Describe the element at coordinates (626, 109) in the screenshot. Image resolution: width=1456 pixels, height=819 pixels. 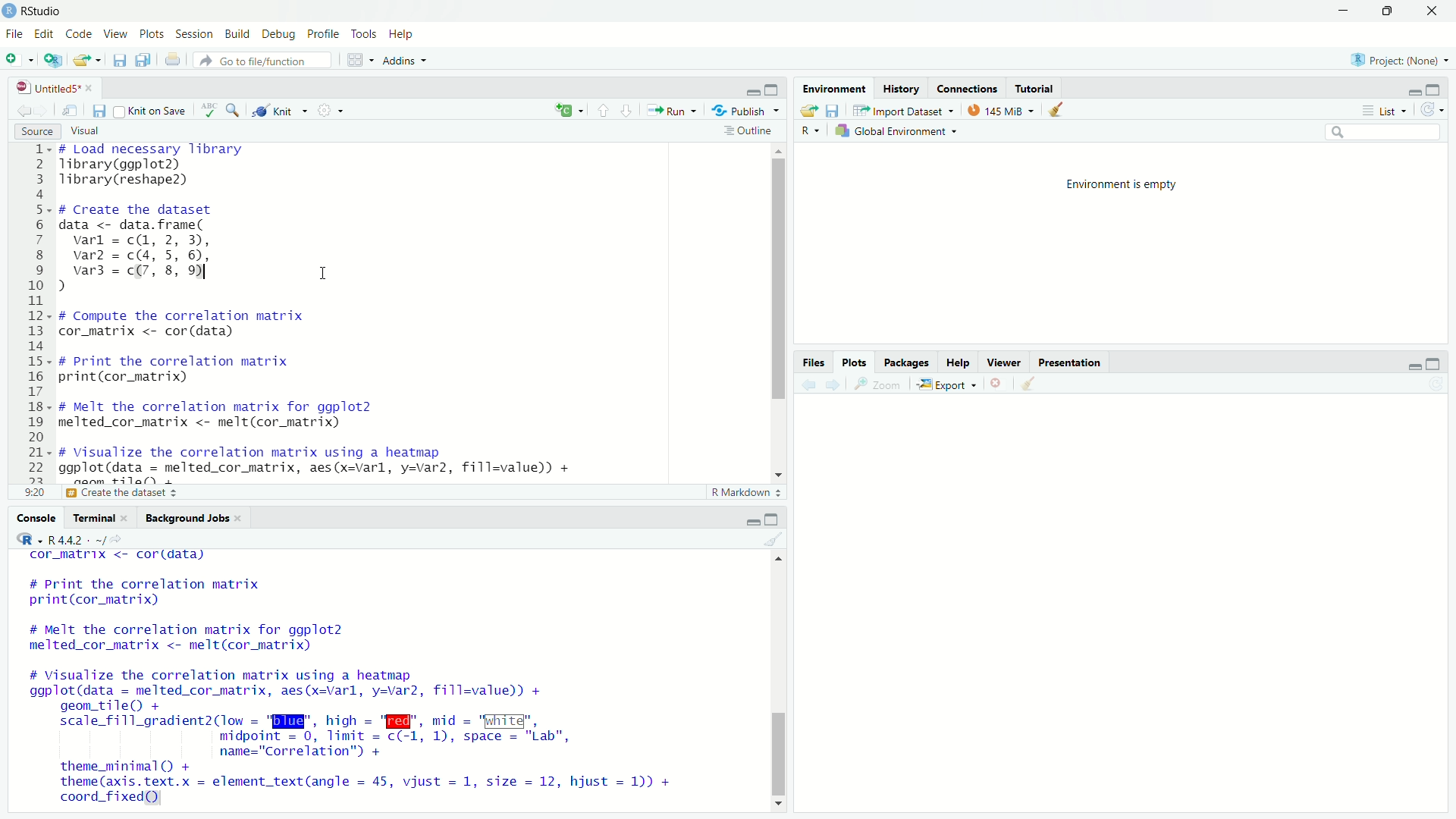
I see `go to next section` at that location.